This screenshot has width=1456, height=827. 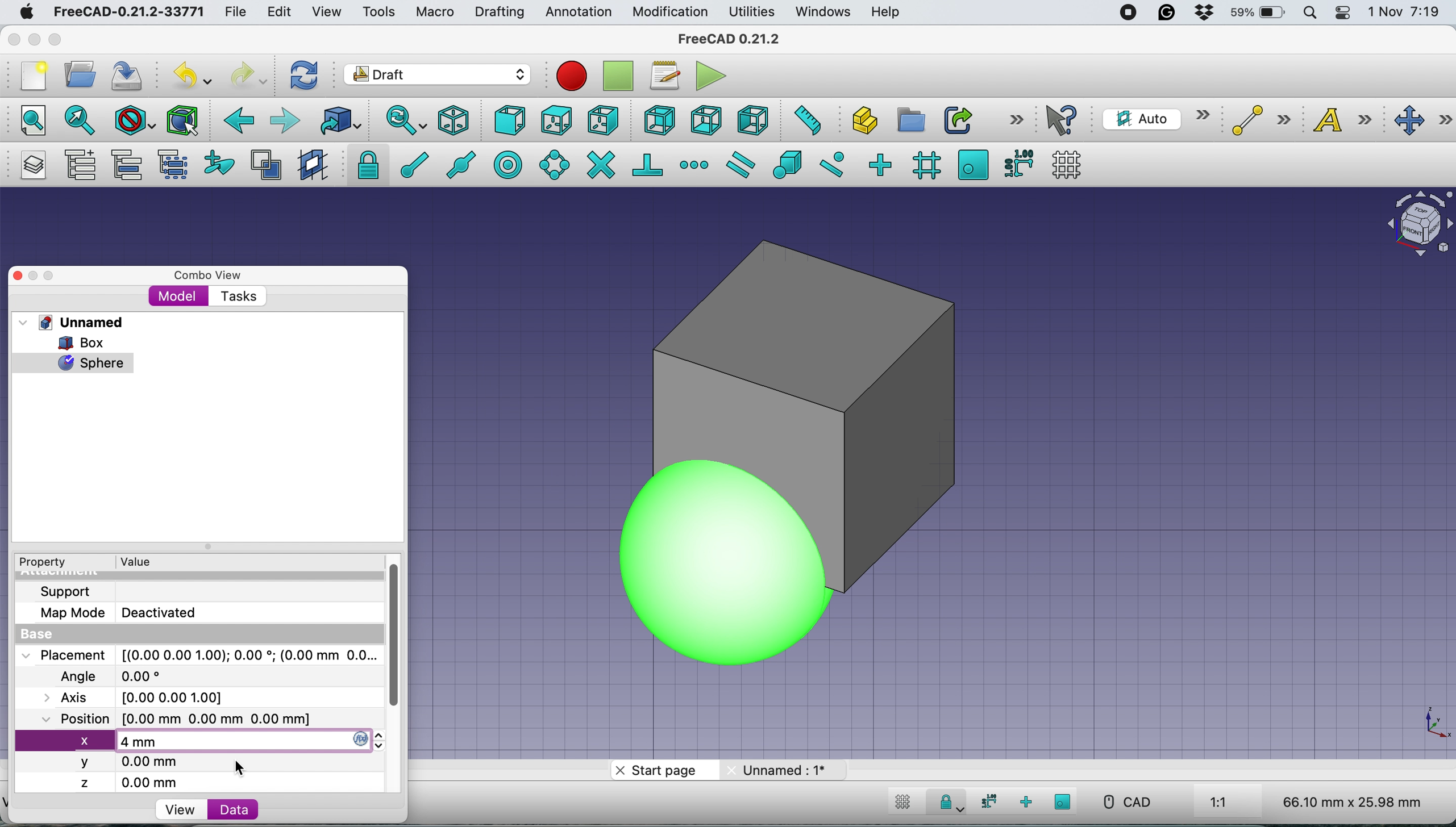 I want to click on tools, so click(x=378, y=13).